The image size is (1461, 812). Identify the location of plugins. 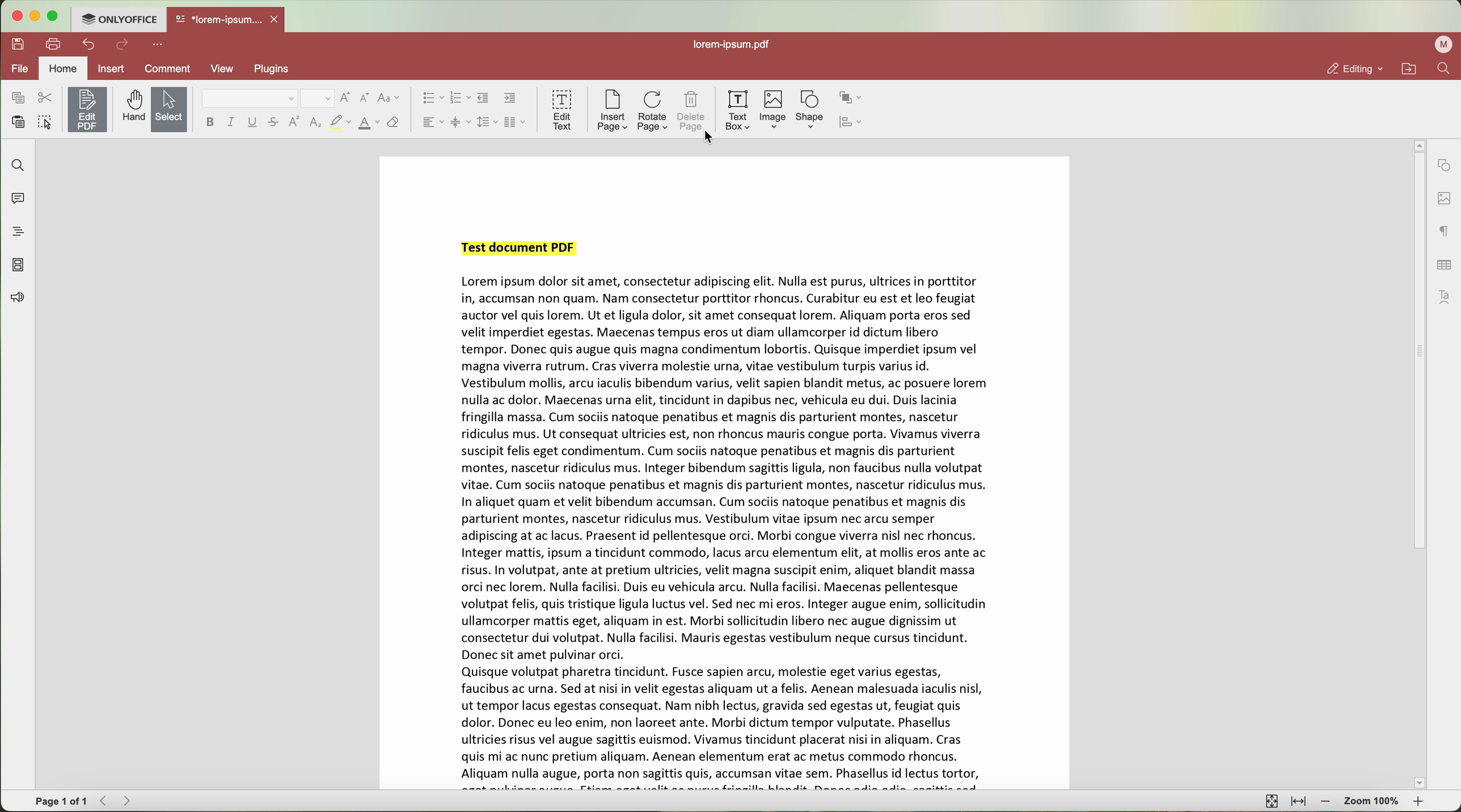
(275, 70).